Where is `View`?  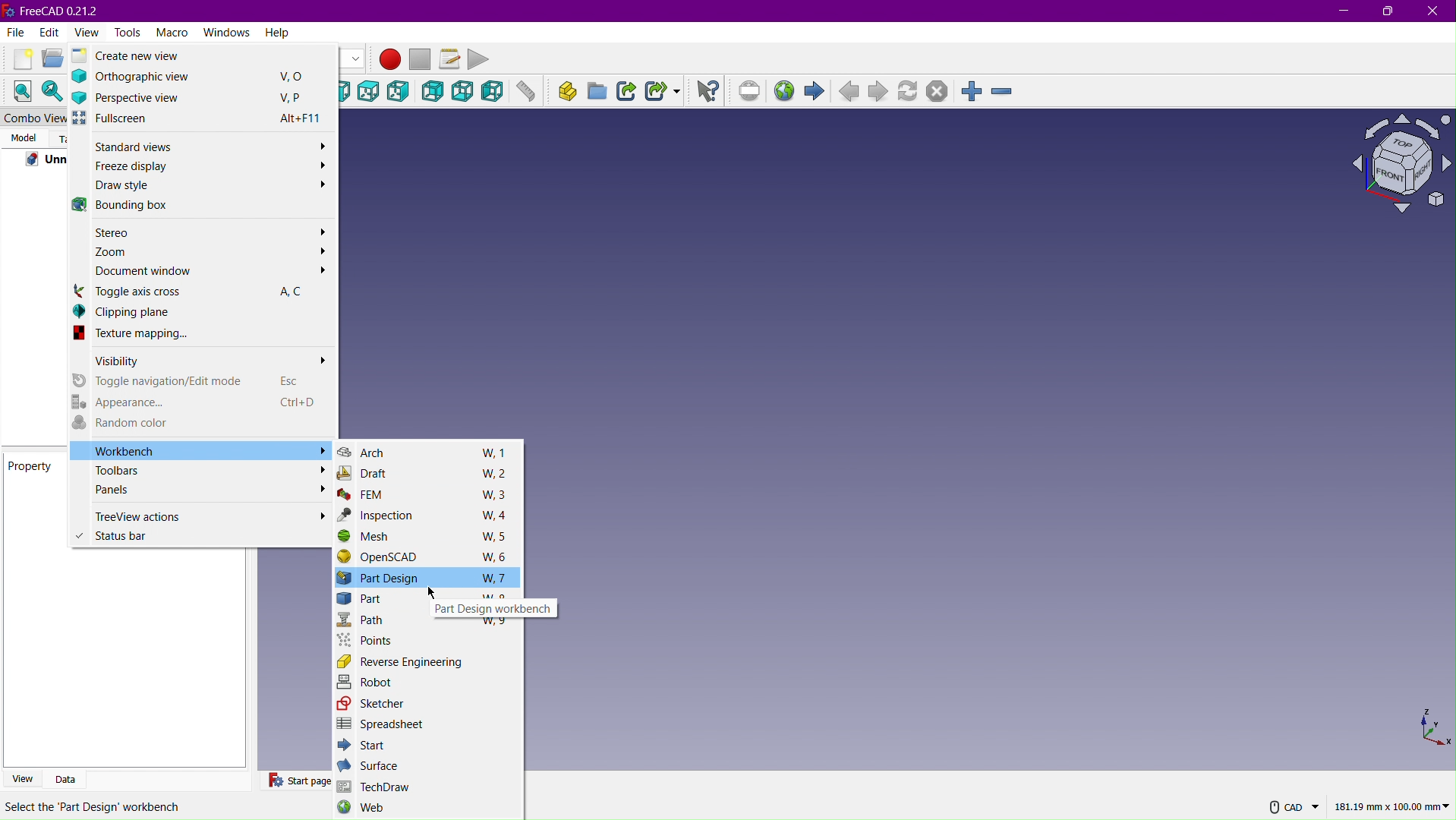
View is located at coordinates (89, 31).